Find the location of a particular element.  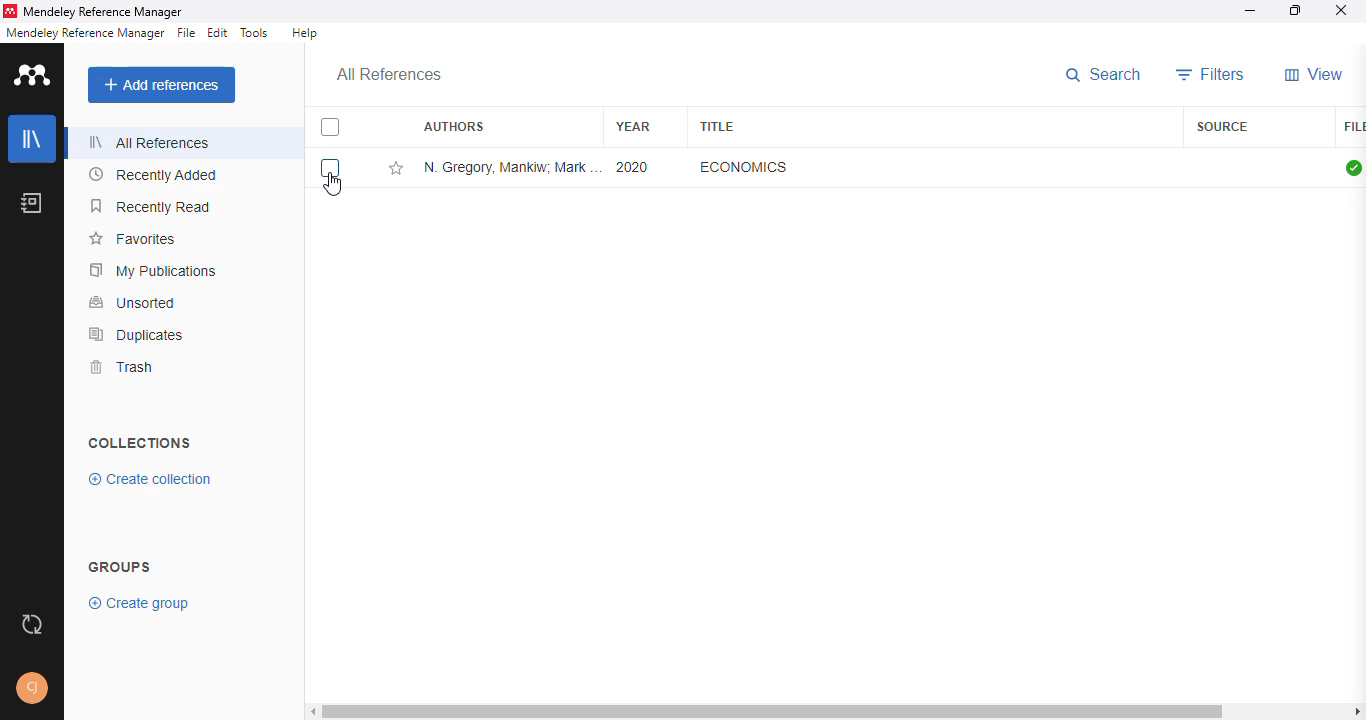

file is located at coordinates (1354, 127).